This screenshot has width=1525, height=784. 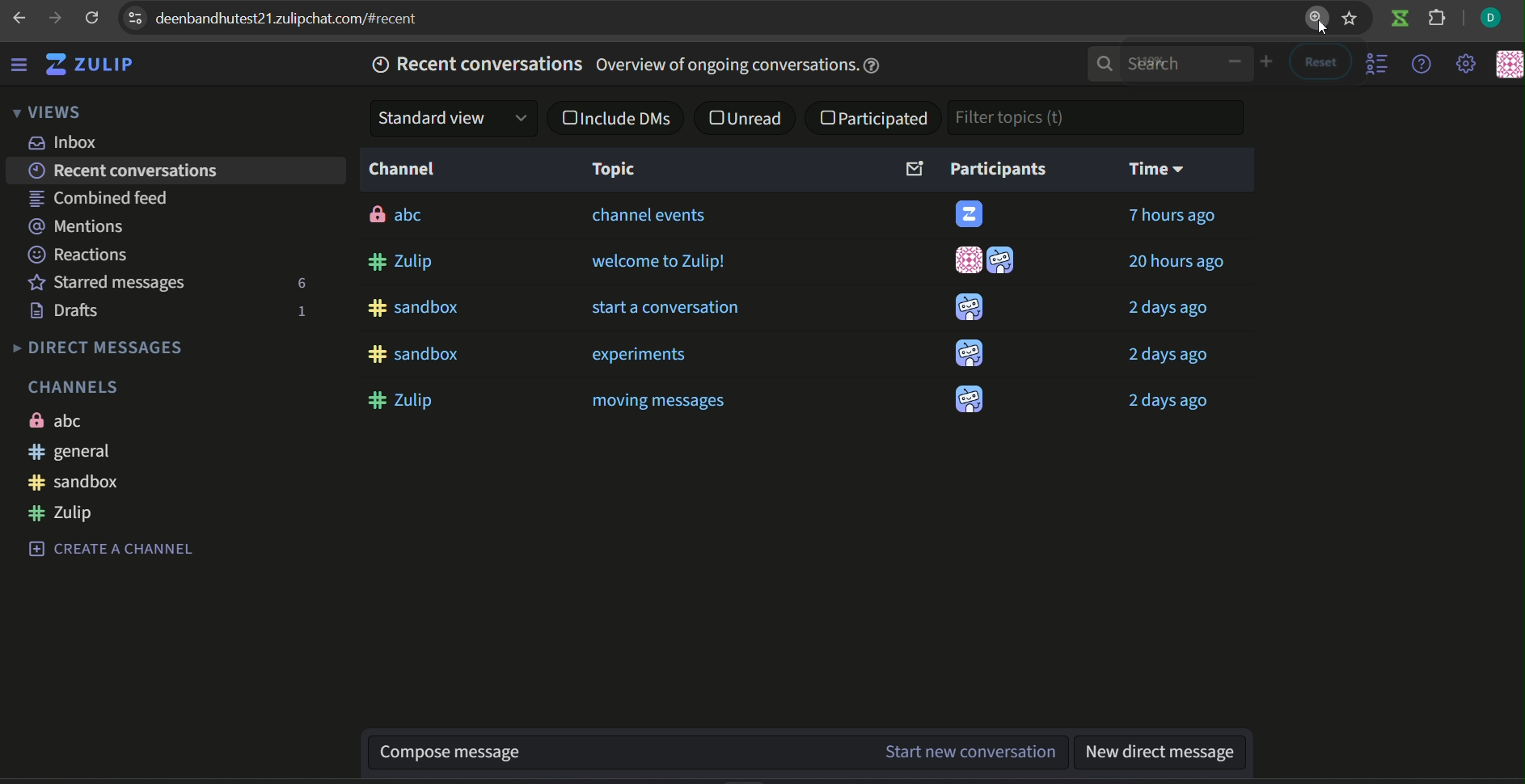 I want to click on bookmark, so click(x=1350, y=19).